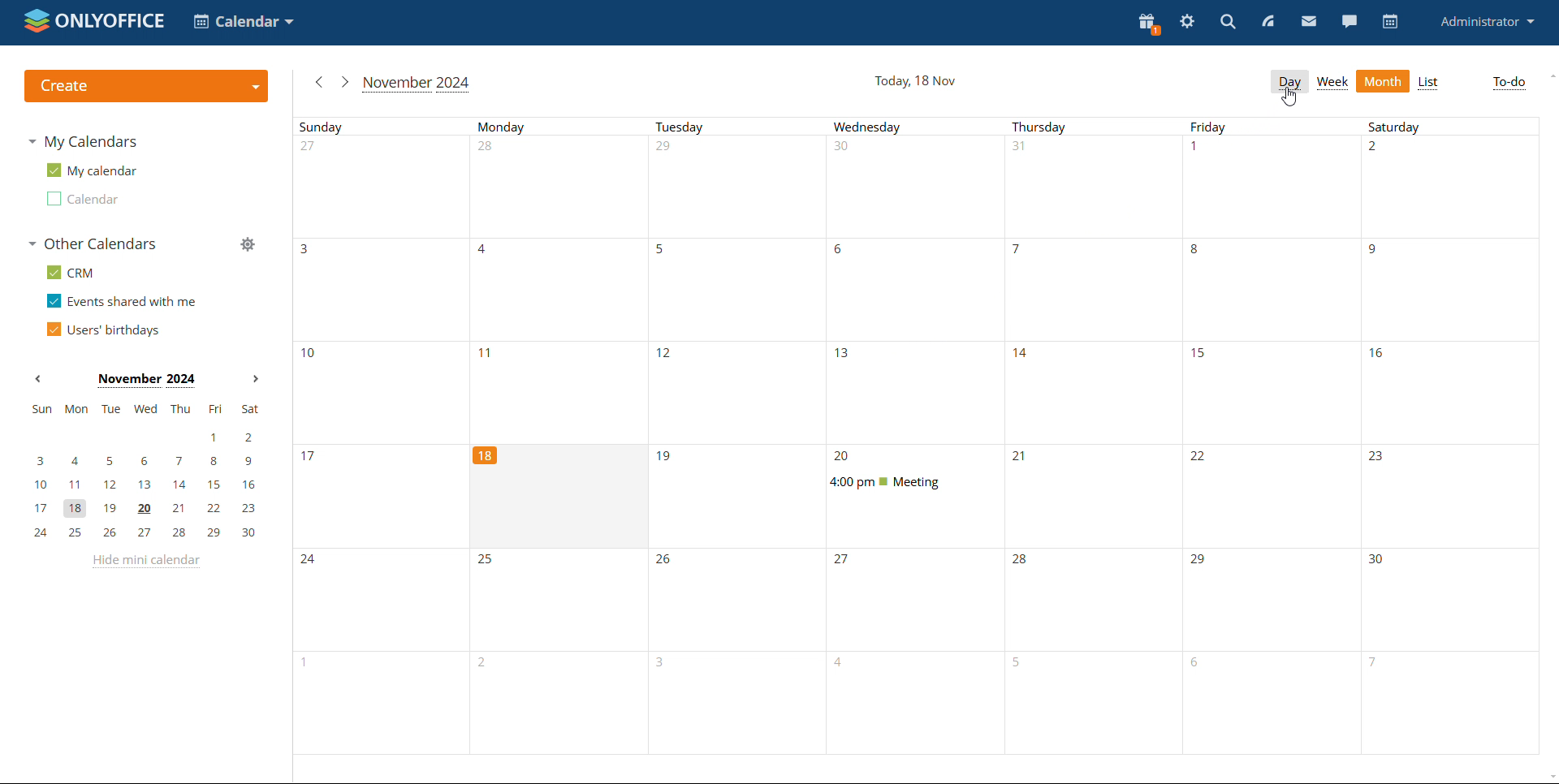 This screenshot has height=784, width=1559. Describe the element at coordinates (84, 199) in the screenshot. I see `second calendar` at that location.